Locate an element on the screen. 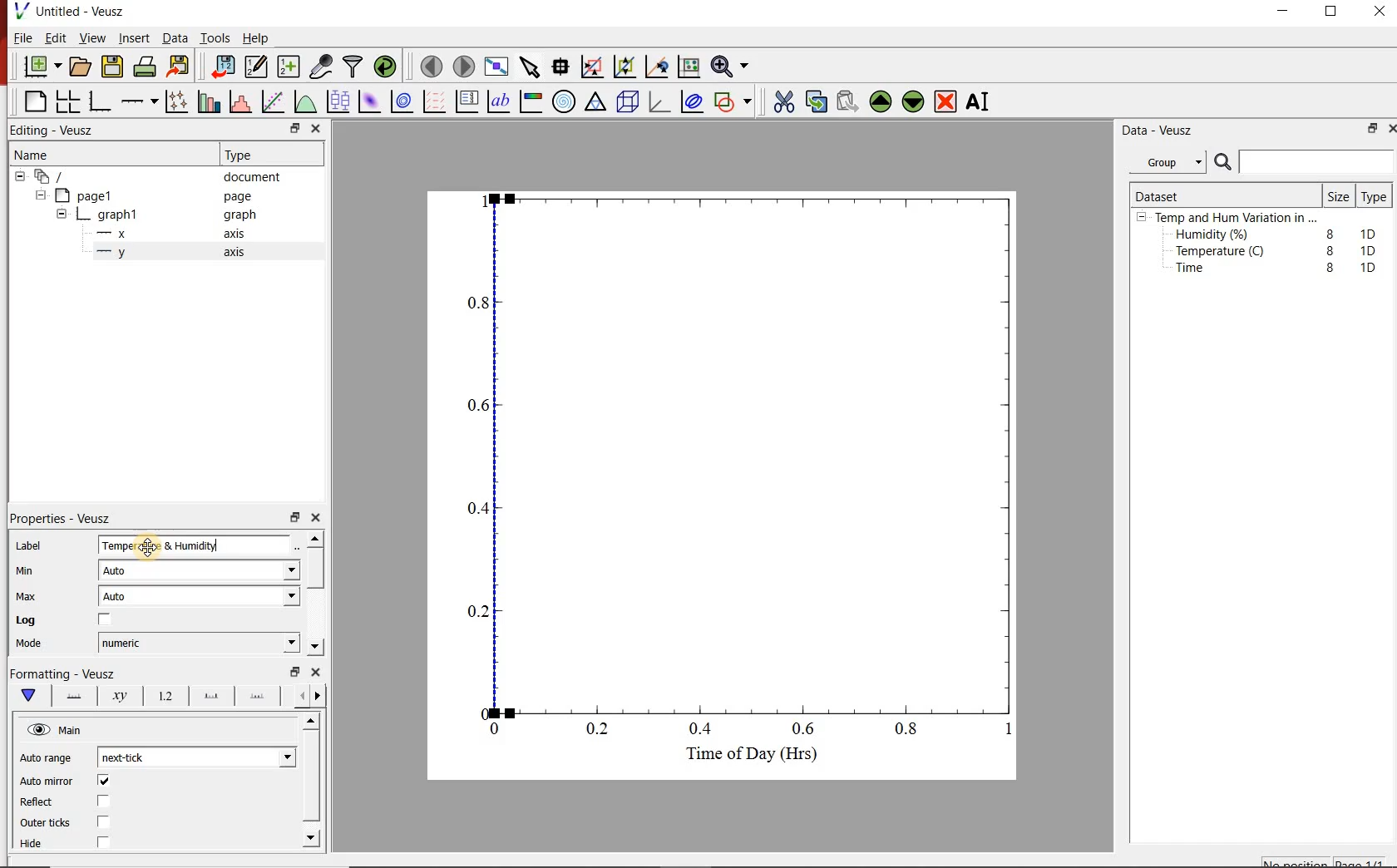 The height and width of the screenshot is (868, 1397). Graph is located at coordinates (758, 451).